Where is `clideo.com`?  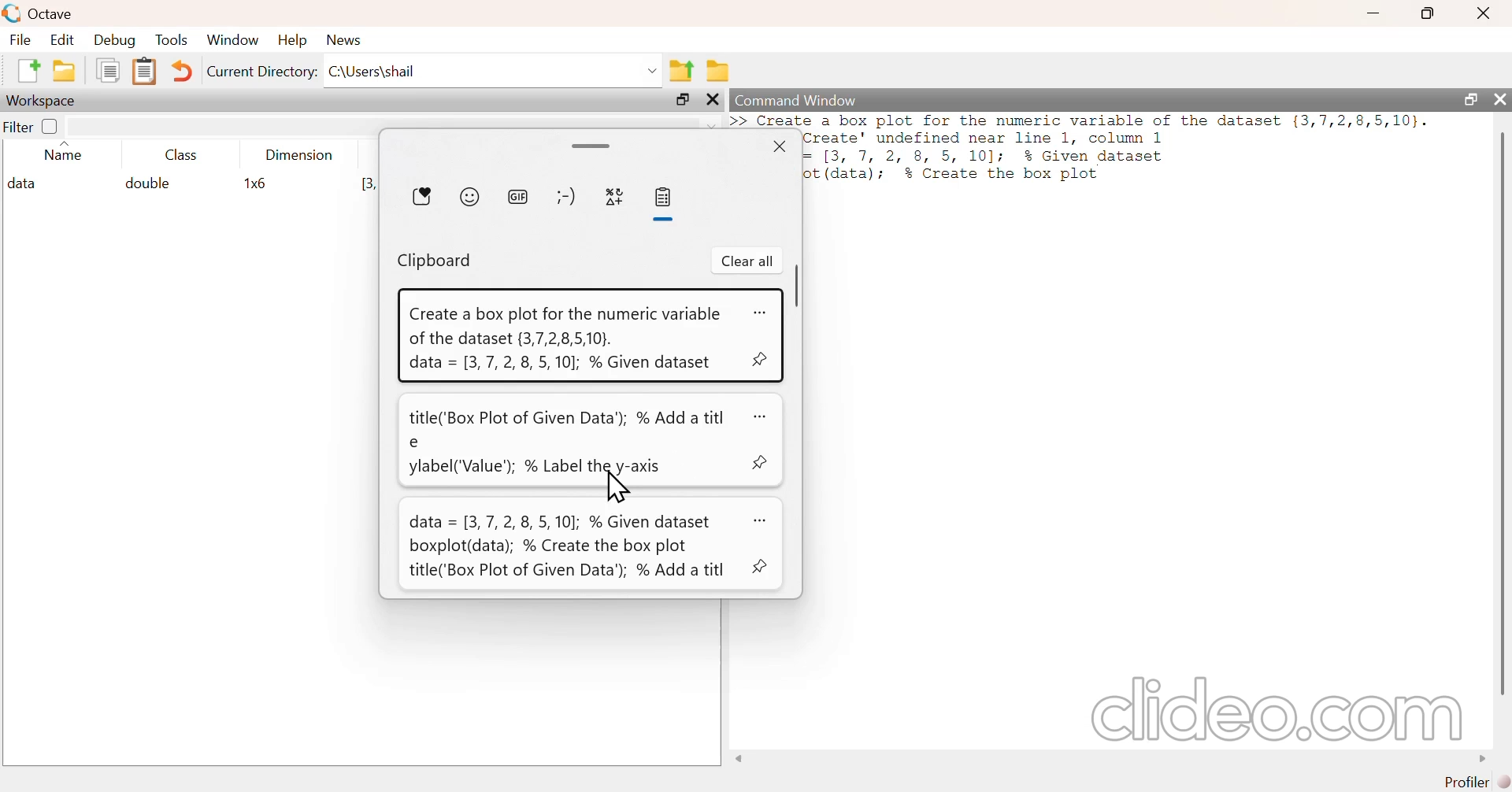
clideo.com is located at coordinates (1269, 709).